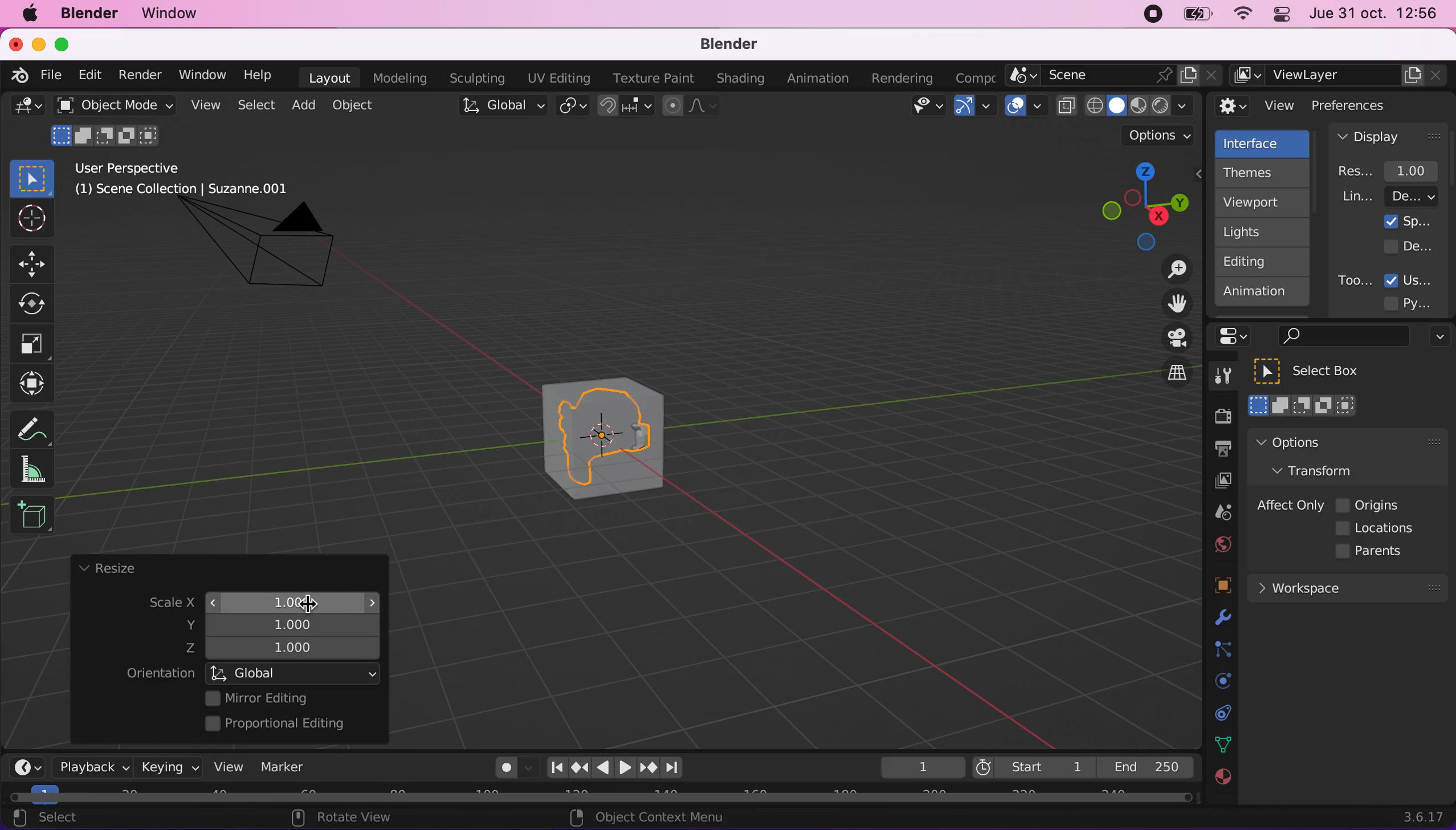  Describe the element at coordinates (32, 516) in the screenshot. I see `add cube` at that location.